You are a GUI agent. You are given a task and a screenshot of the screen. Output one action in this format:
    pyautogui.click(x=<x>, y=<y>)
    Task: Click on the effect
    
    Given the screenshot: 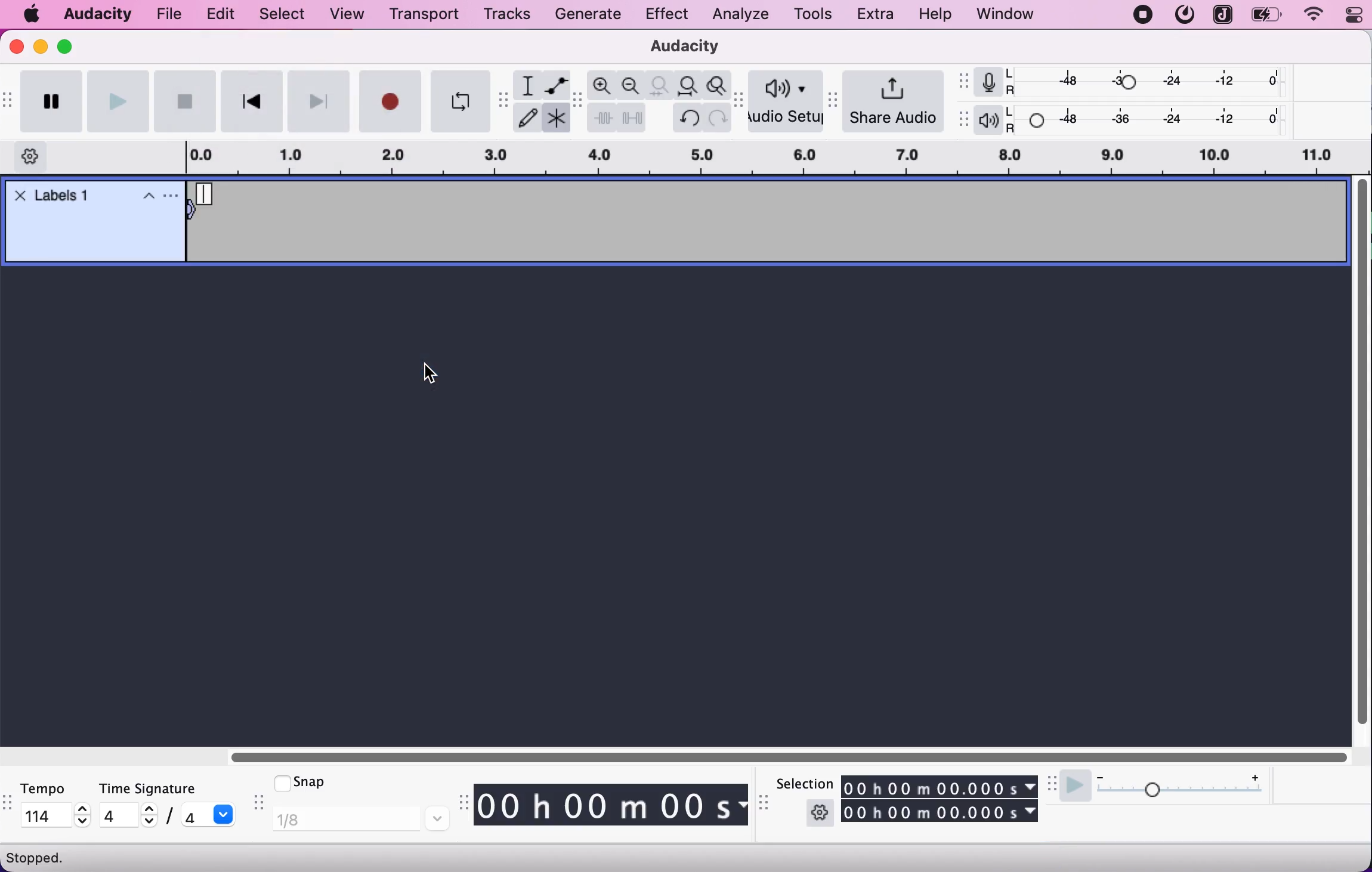 What is the action you would take?
    pyautogui.click(x=667, y=16)
    